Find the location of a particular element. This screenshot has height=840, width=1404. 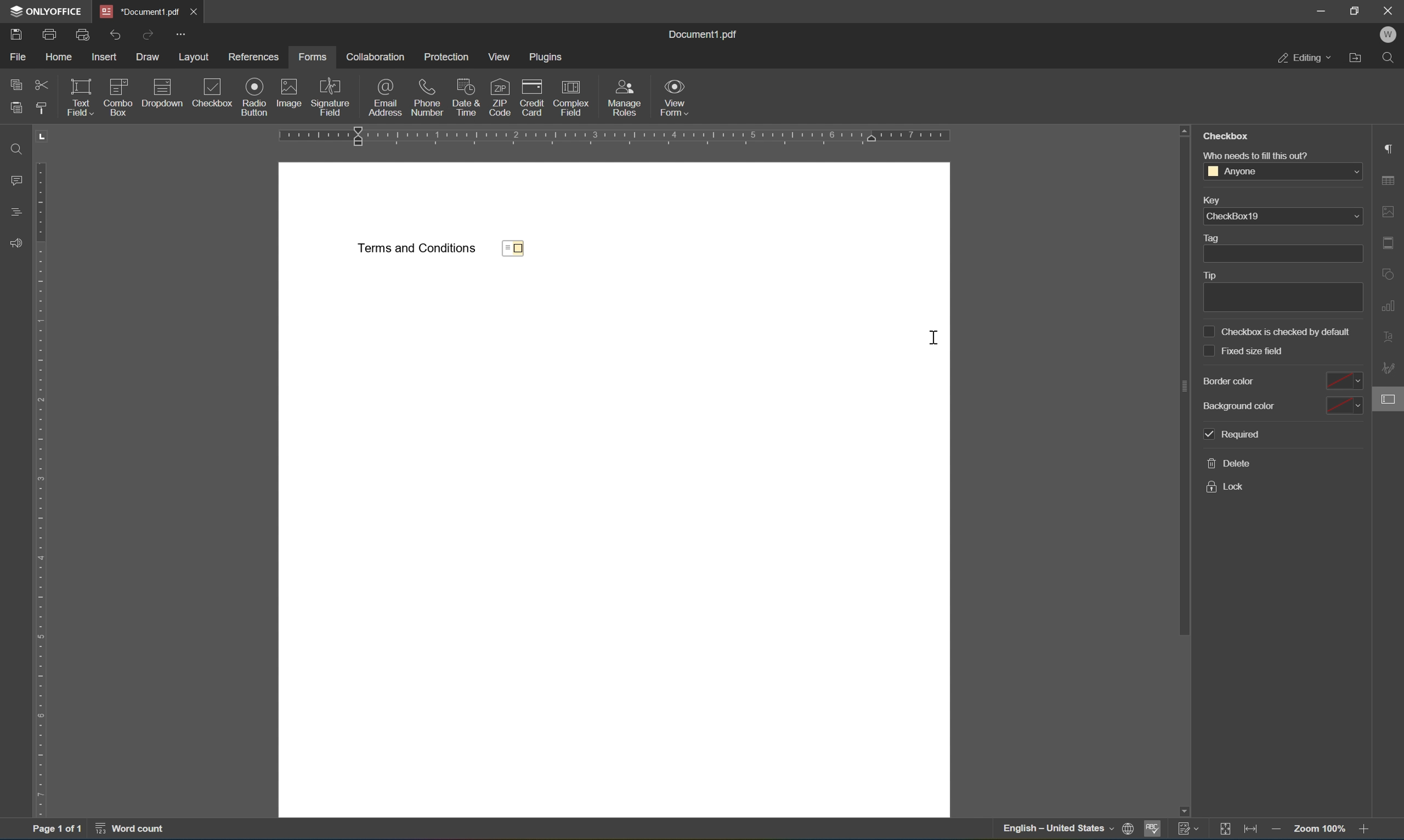

cursor is located at coordinates (935, 338).